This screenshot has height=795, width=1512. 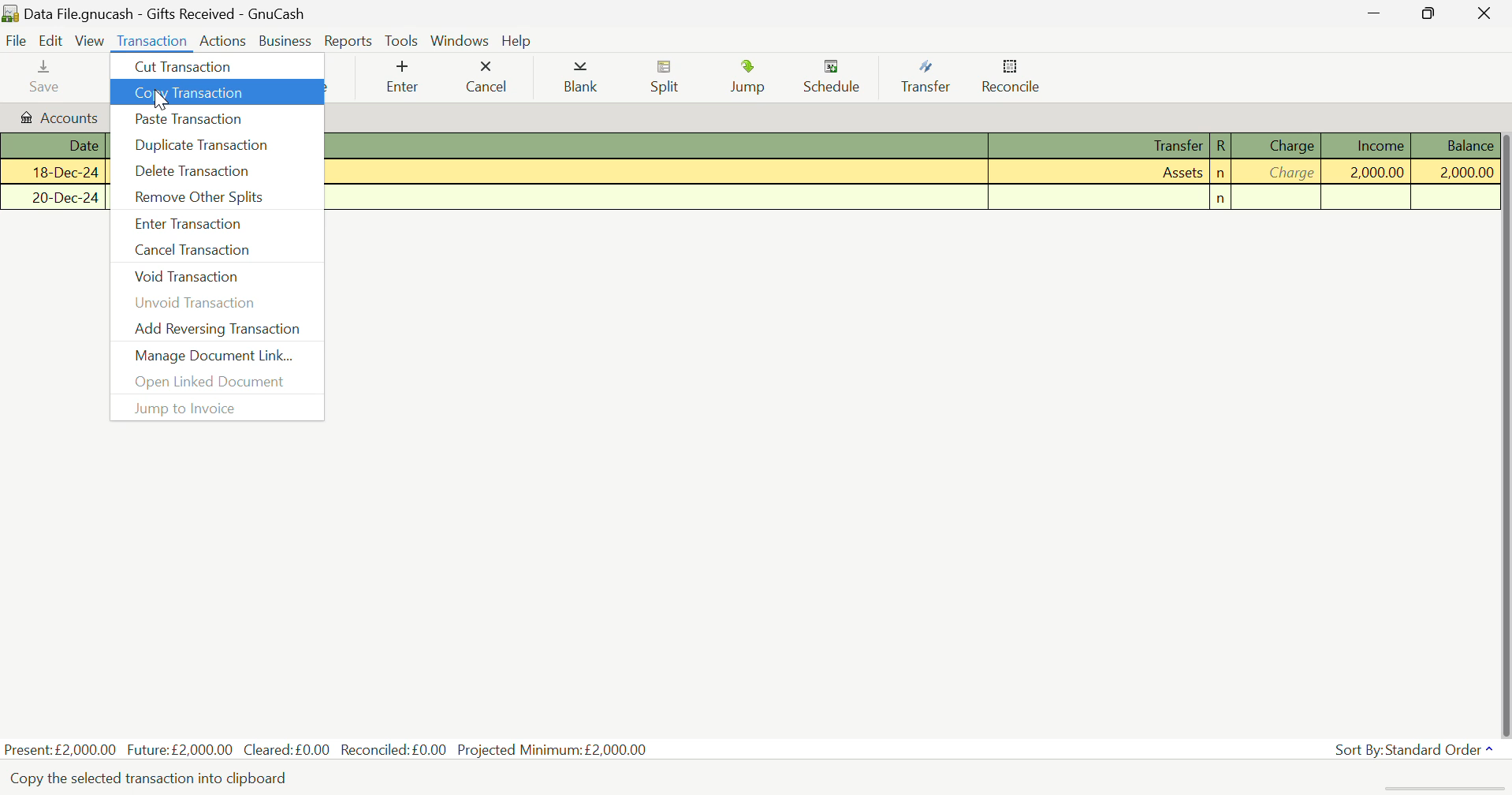 What do you see at coordinates (1279, 198) in the screenshot?
I see `Charge` at bounding box center [1279, 198].